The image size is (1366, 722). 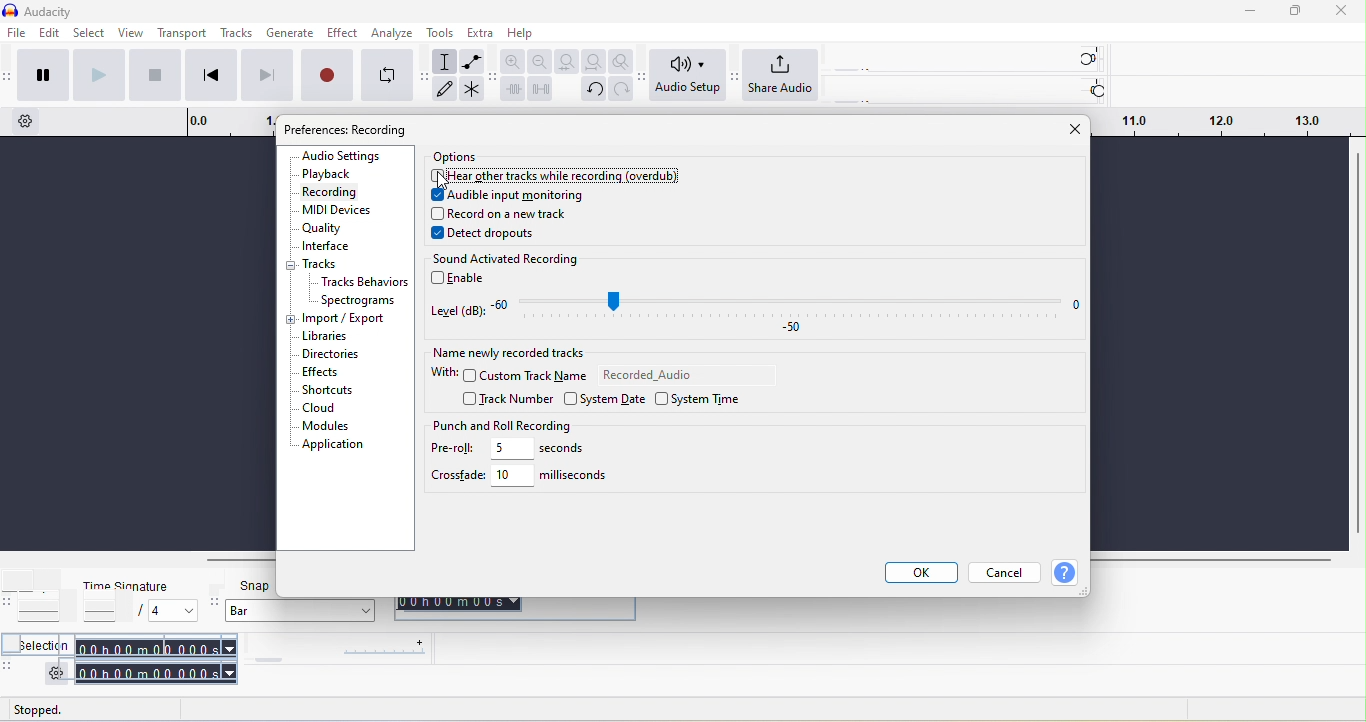 What do you see at coordinates (267, 75) in the screenshot?
I see `skip to end` at bounding box center [267, 75].